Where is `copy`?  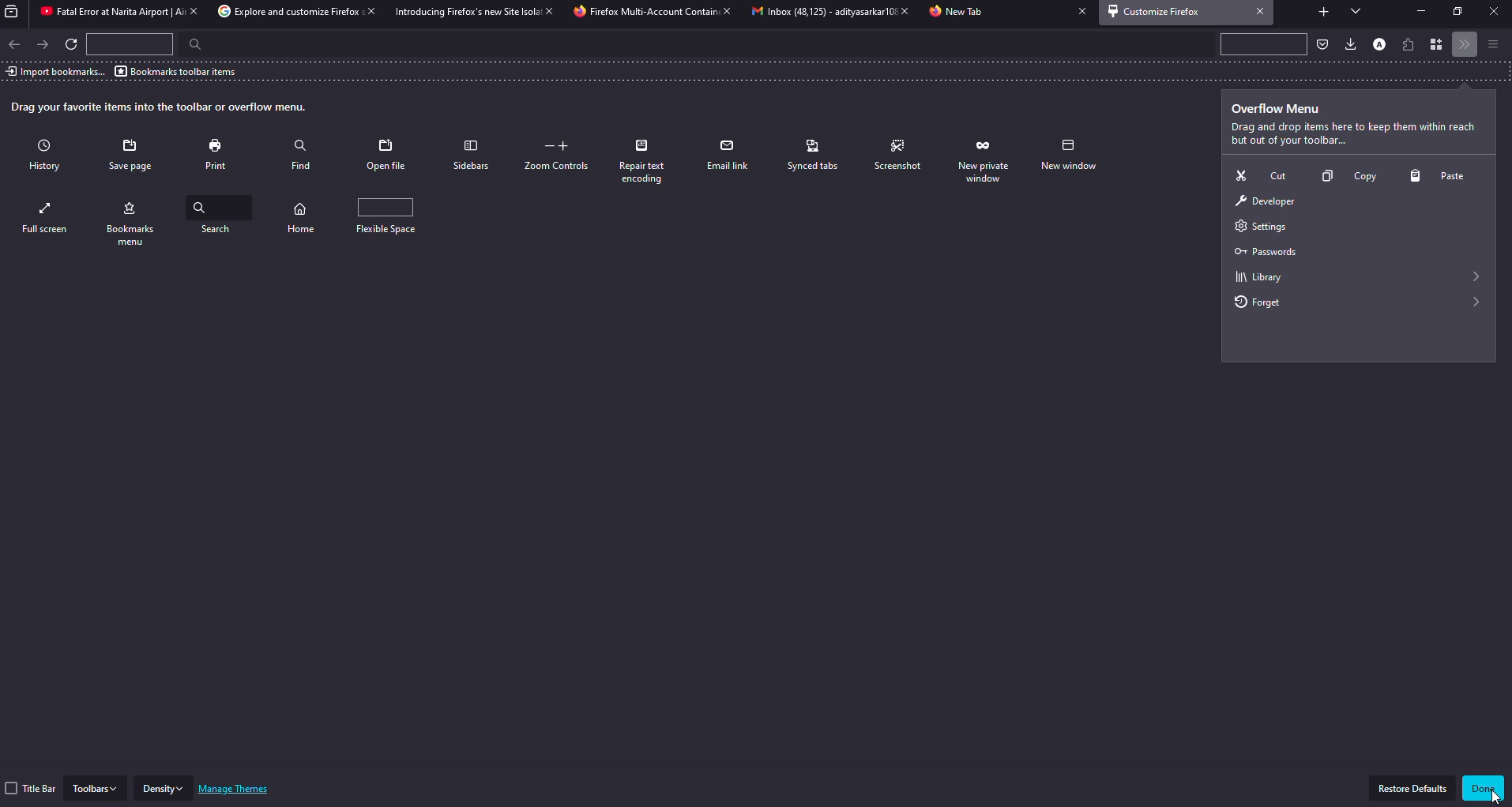 copy is located at coordinates (1344, 178).